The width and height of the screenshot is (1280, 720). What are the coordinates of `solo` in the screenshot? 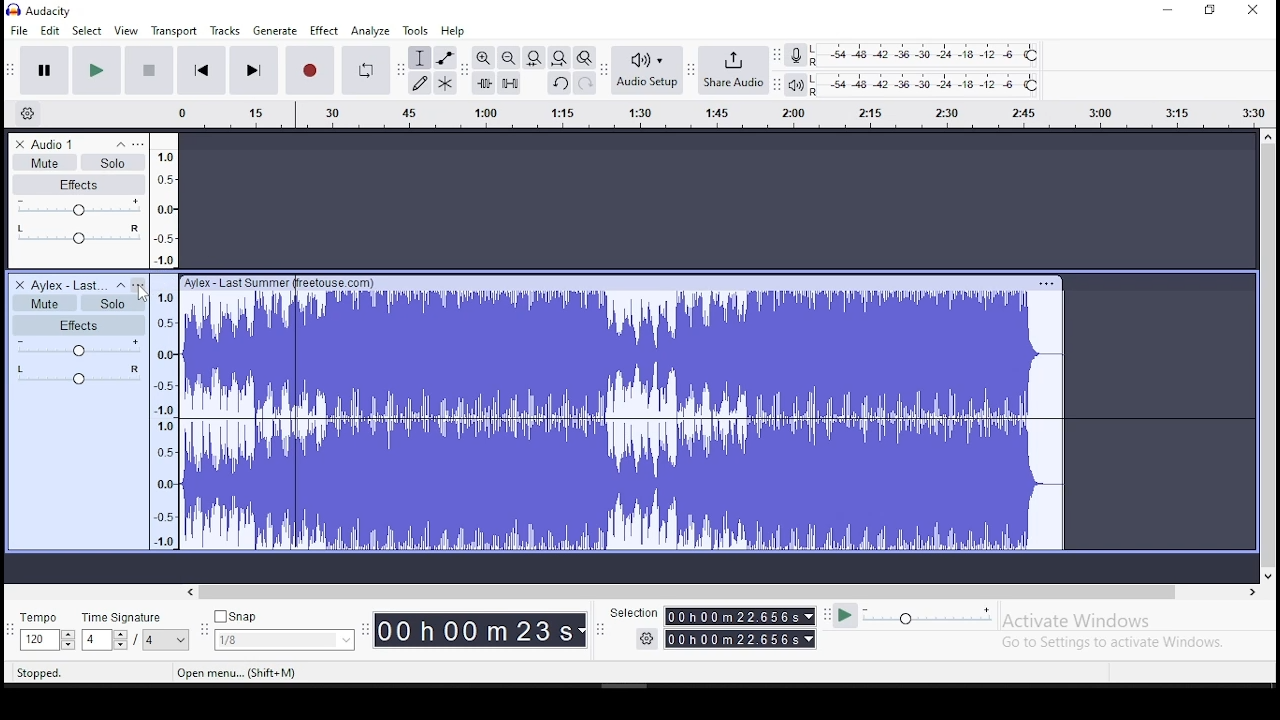 It's located at (113, 161).